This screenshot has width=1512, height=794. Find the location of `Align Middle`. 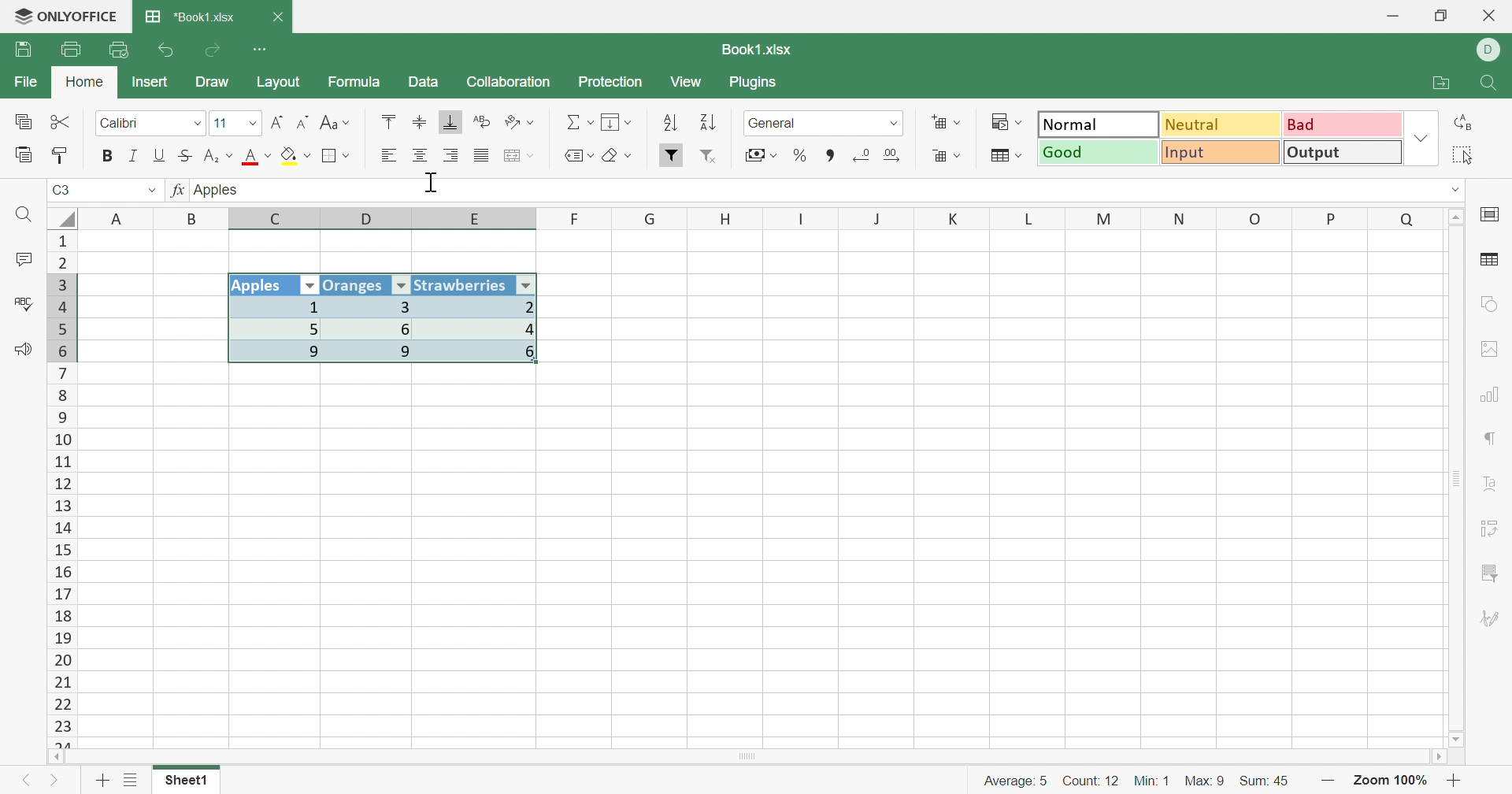

Align Middle is located at coordinates (420, 123).